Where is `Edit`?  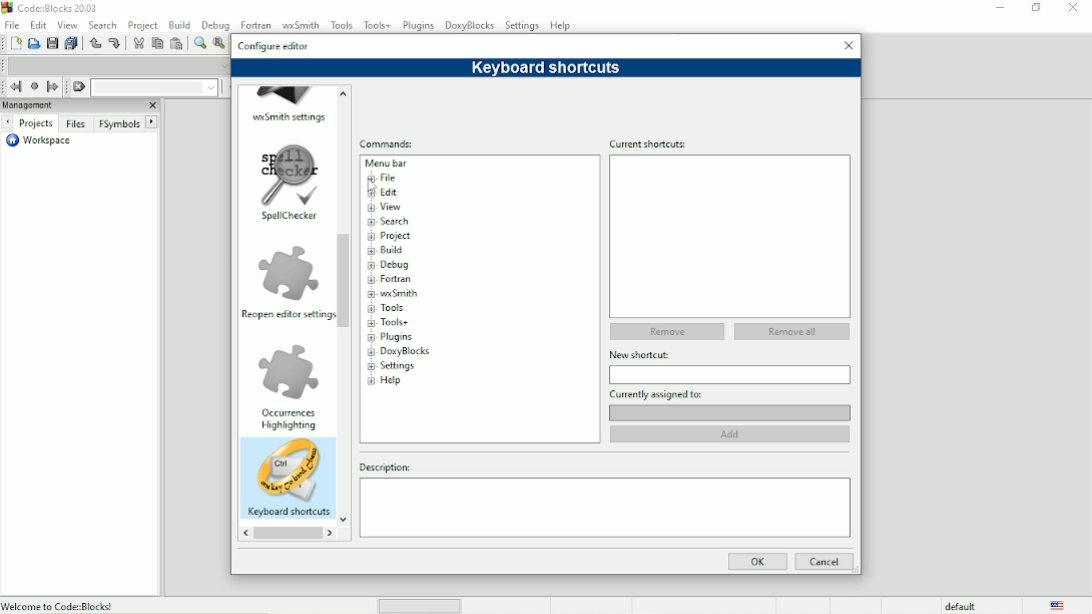 Edit is located at coordinates (391, 192).